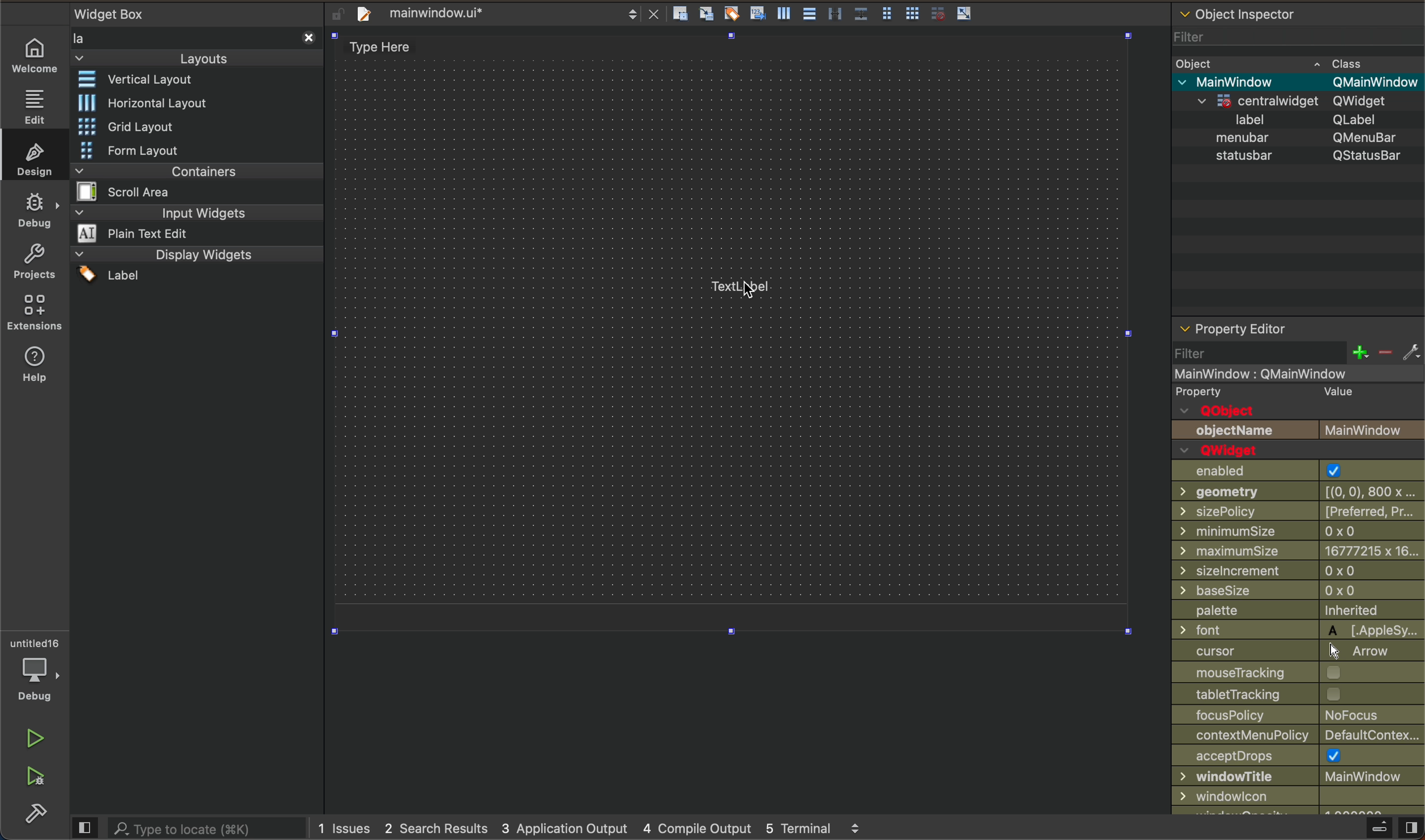  Describe the element at coordinates (567, 829) in the screenshot. I see `application output` at that location.